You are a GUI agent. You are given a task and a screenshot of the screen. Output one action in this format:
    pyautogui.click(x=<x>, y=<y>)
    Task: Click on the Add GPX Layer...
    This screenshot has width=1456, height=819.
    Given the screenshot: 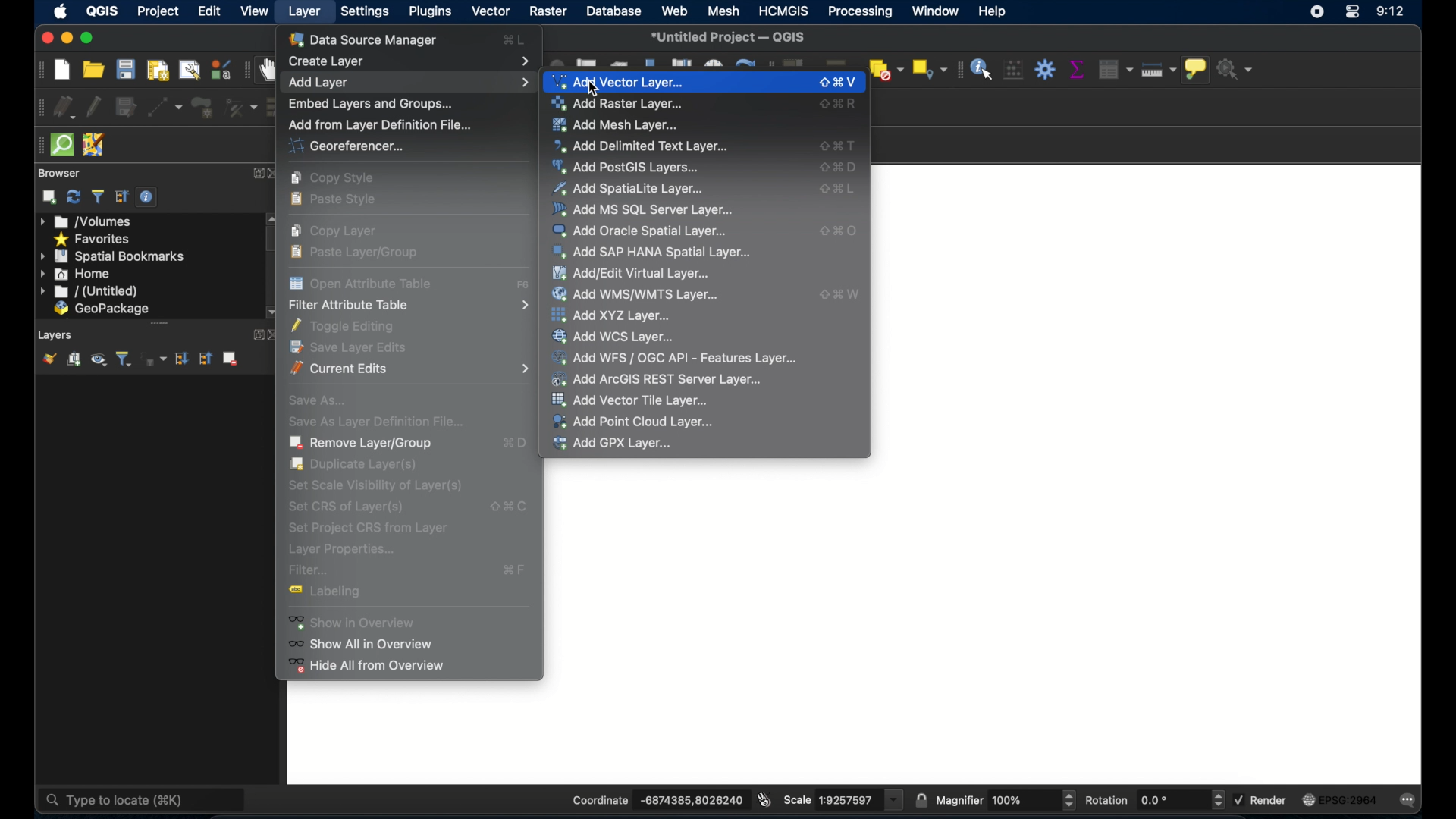 What is the action you would take?
    pyautogui.click(x=617, y=444)
    